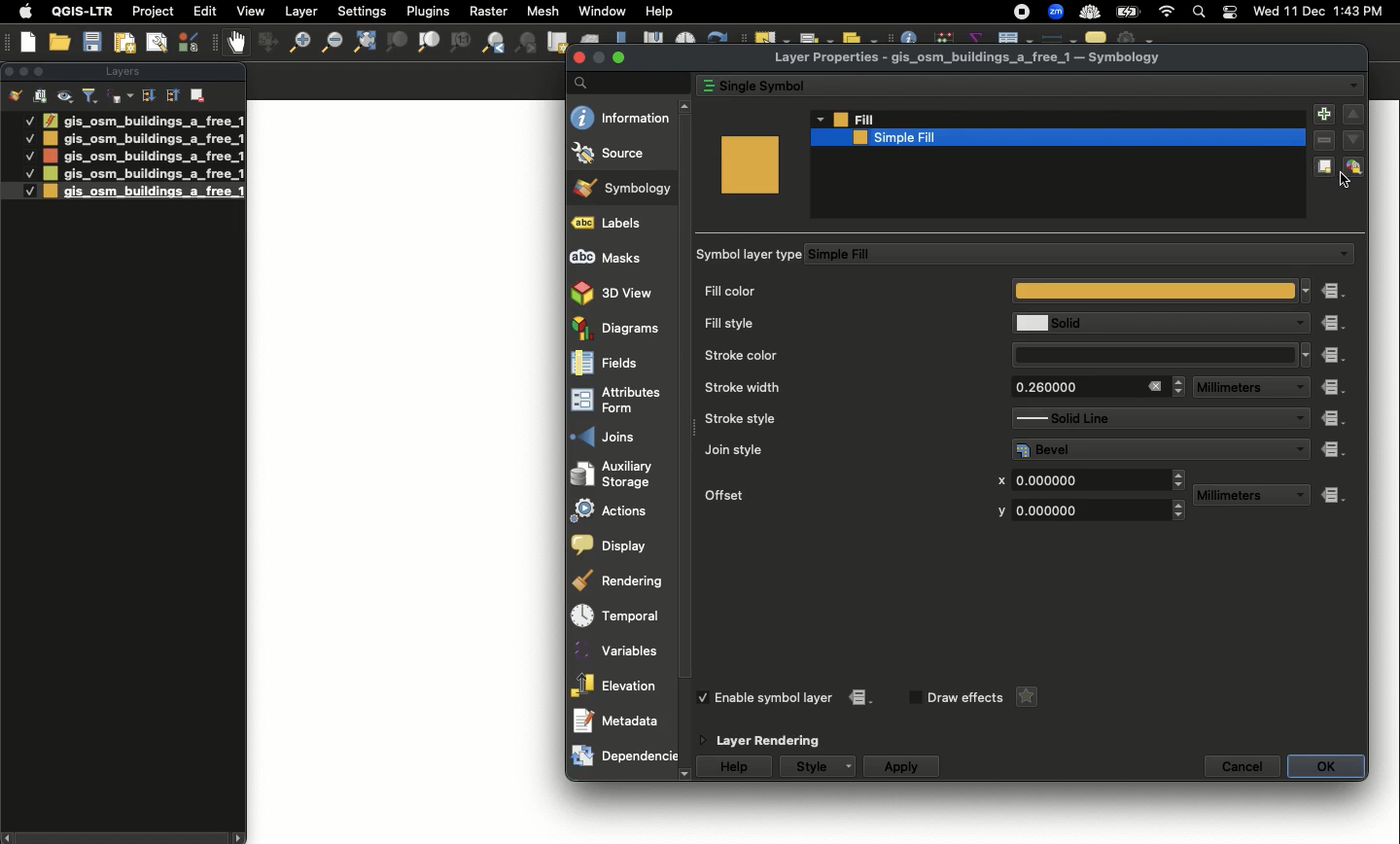  What do you see at coordinates (29, 42) in the screenshot?
I see `New` at bounding box center [29, 42].